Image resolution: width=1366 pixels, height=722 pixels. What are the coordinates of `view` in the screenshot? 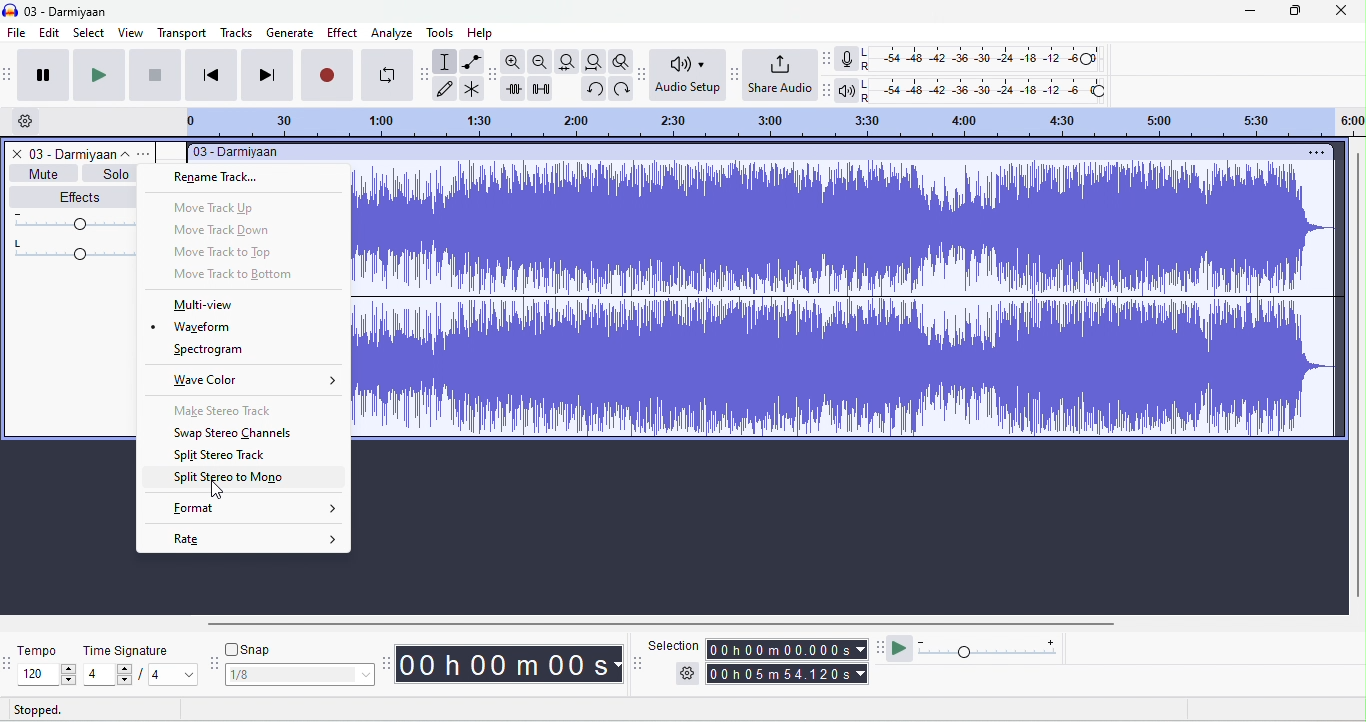 It's located at (131, 32).